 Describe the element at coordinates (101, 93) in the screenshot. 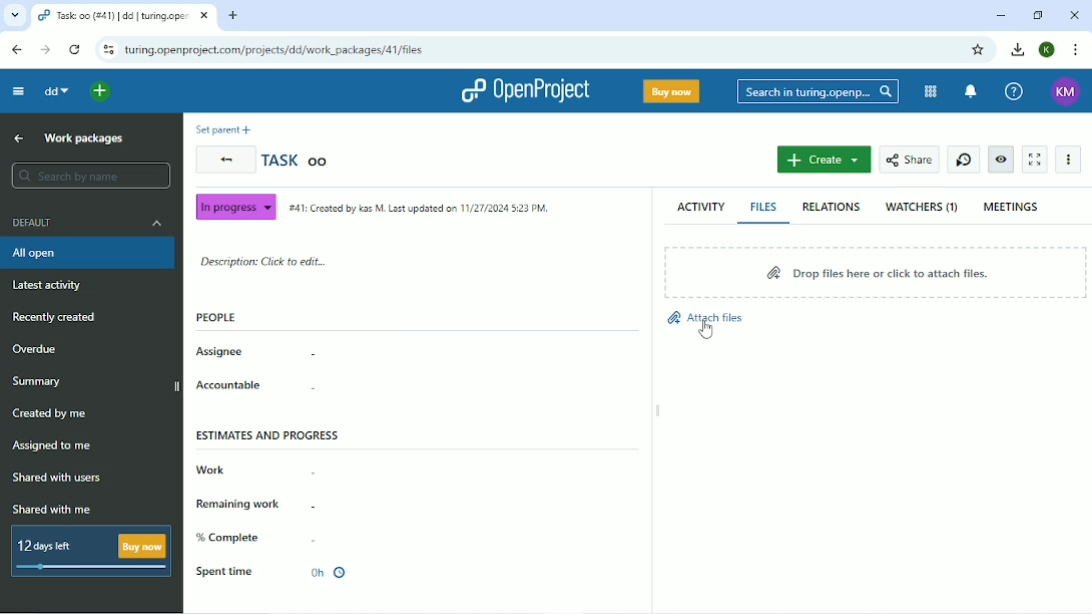

I see `Open quick add menu` at that location.